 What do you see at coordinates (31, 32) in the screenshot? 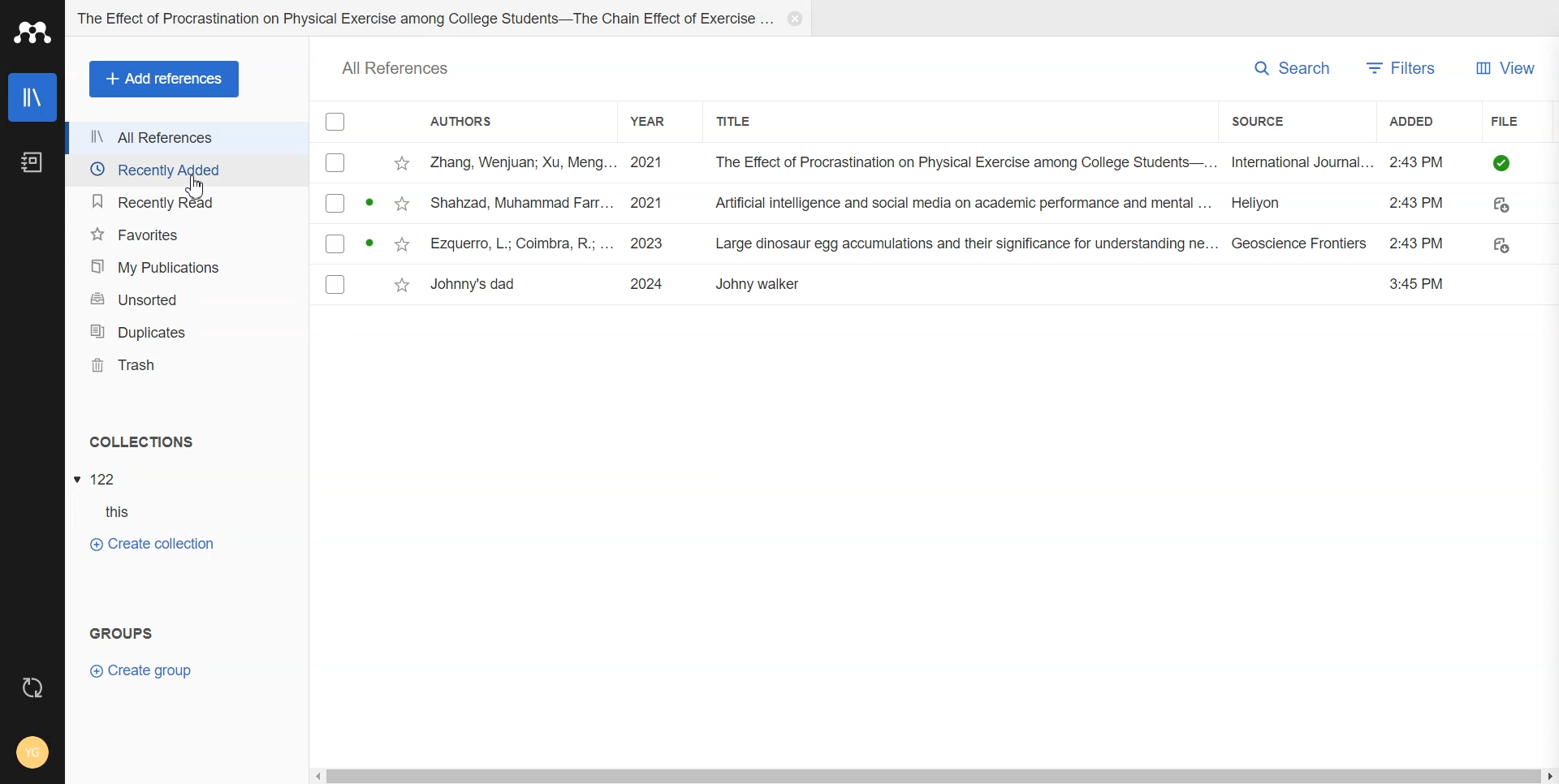
I see `Logo` at bounding box center [31, 32].